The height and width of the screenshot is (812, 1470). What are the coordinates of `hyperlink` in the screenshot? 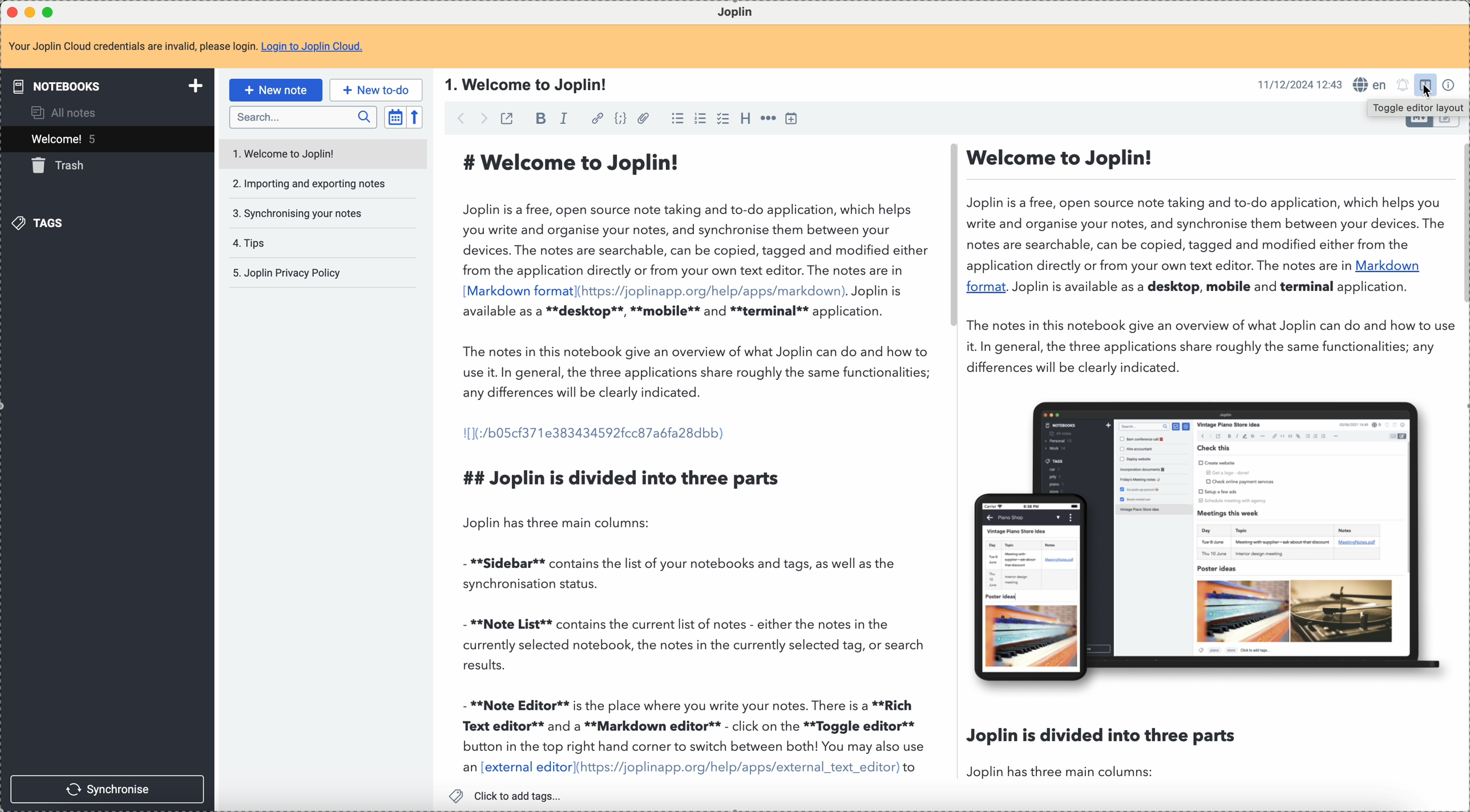 It's located at (598, 118).